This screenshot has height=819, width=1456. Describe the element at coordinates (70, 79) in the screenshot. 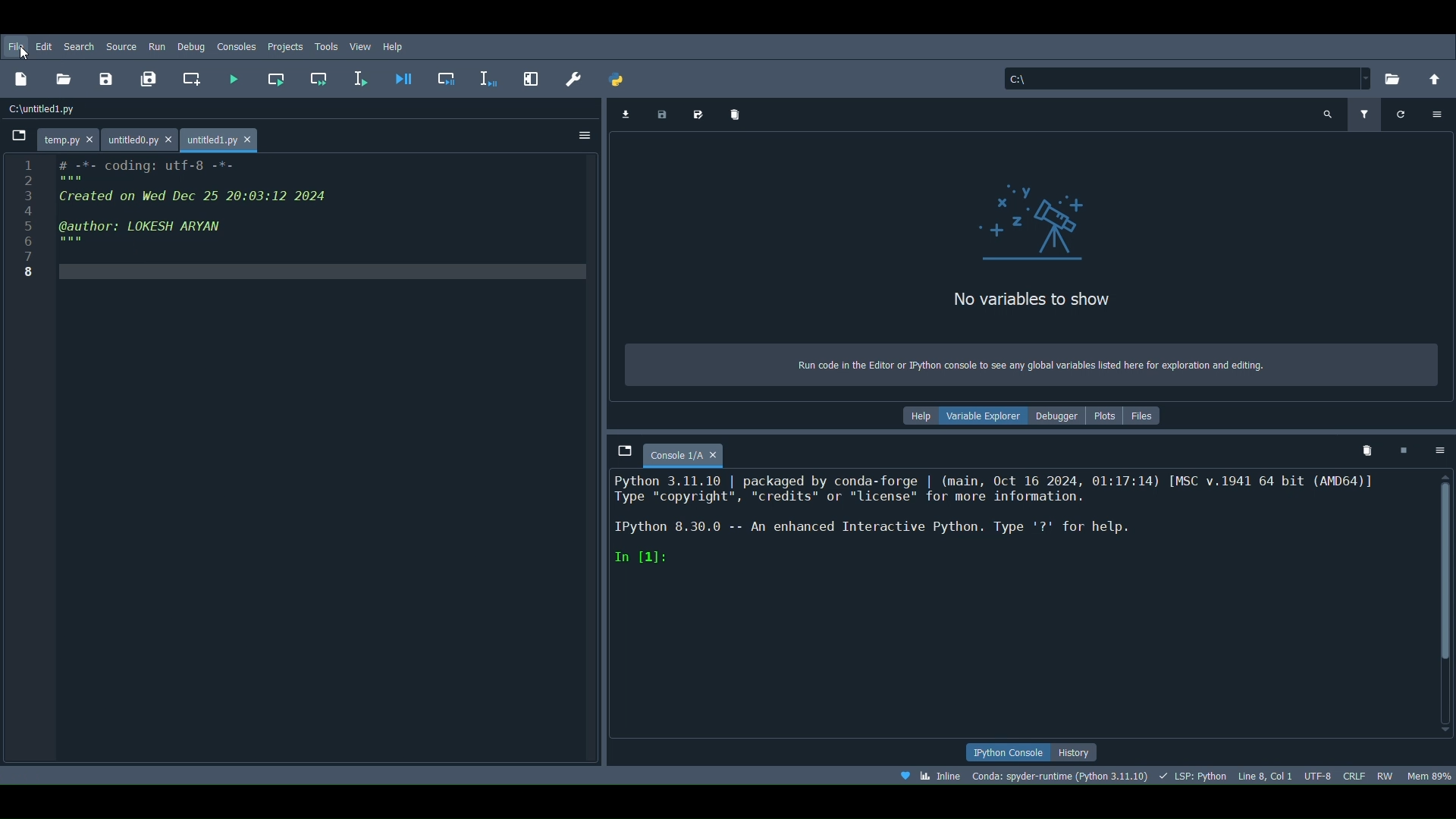

I see `Open file (Ctrl + O)` at that location.